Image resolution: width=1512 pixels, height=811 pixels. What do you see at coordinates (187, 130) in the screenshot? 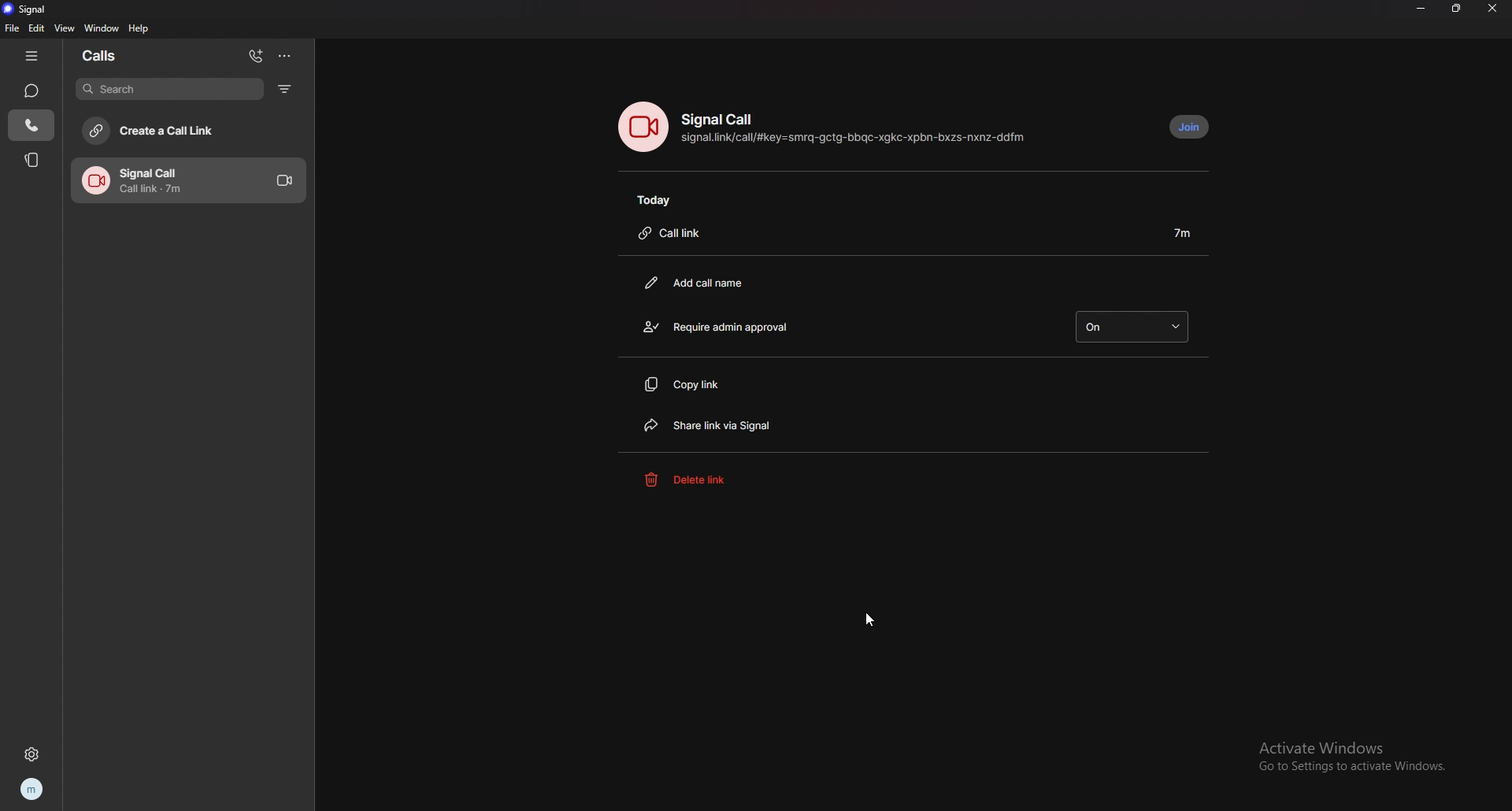
I see `create a call link` at bounding box center [187, 130].